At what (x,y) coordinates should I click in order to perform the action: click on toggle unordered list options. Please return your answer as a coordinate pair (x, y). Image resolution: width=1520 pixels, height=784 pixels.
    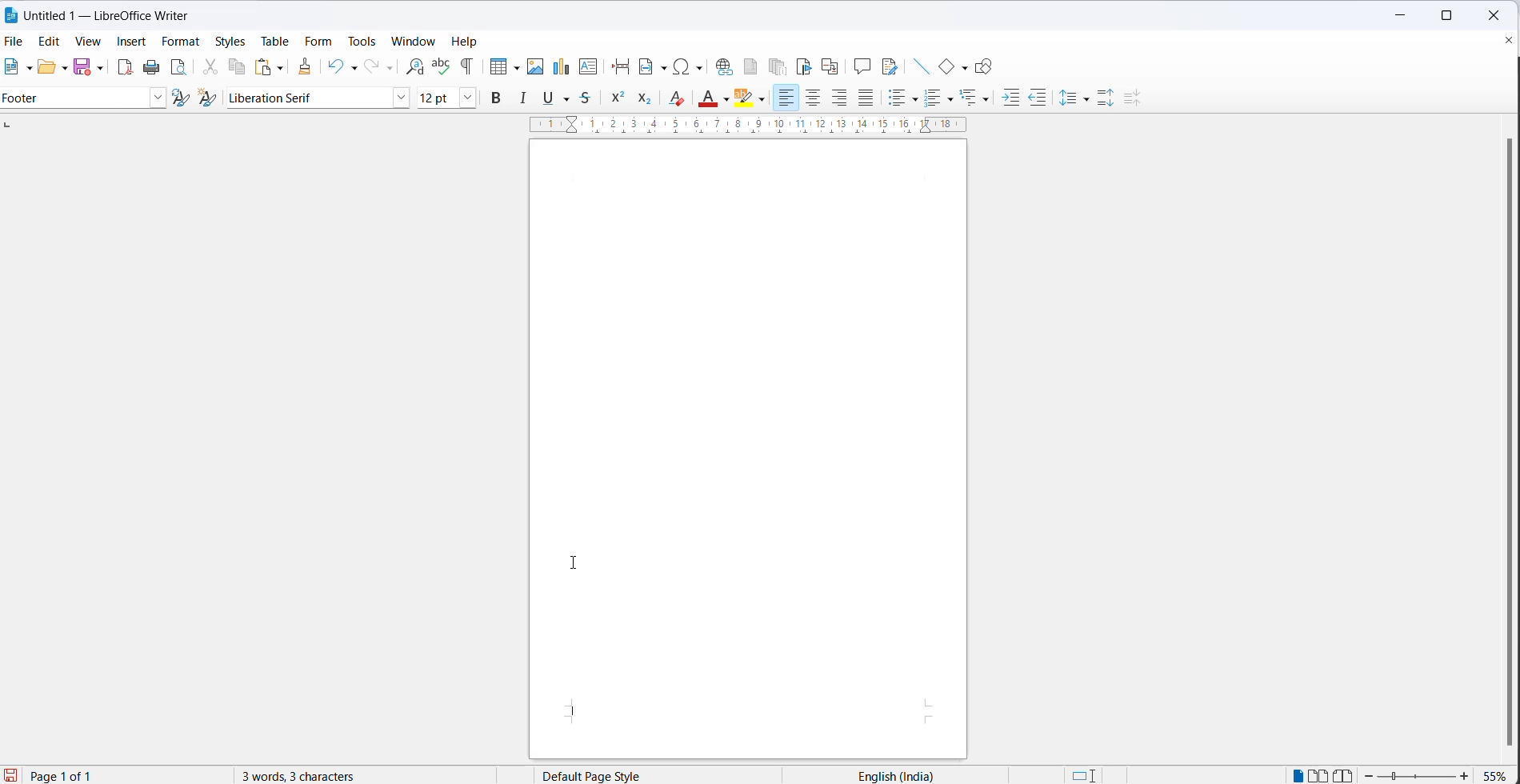
    Looking at the image, I should click on (916, 98).